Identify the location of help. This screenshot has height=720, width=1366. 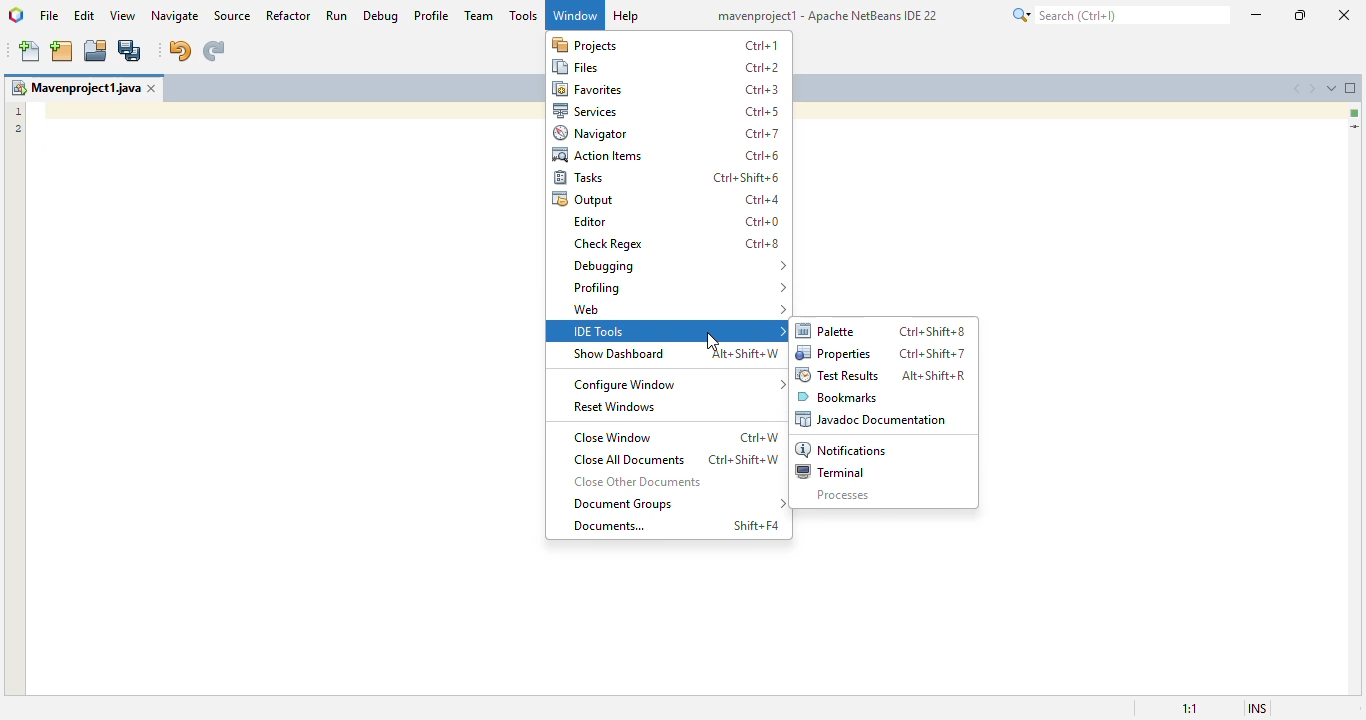
(626, 16).